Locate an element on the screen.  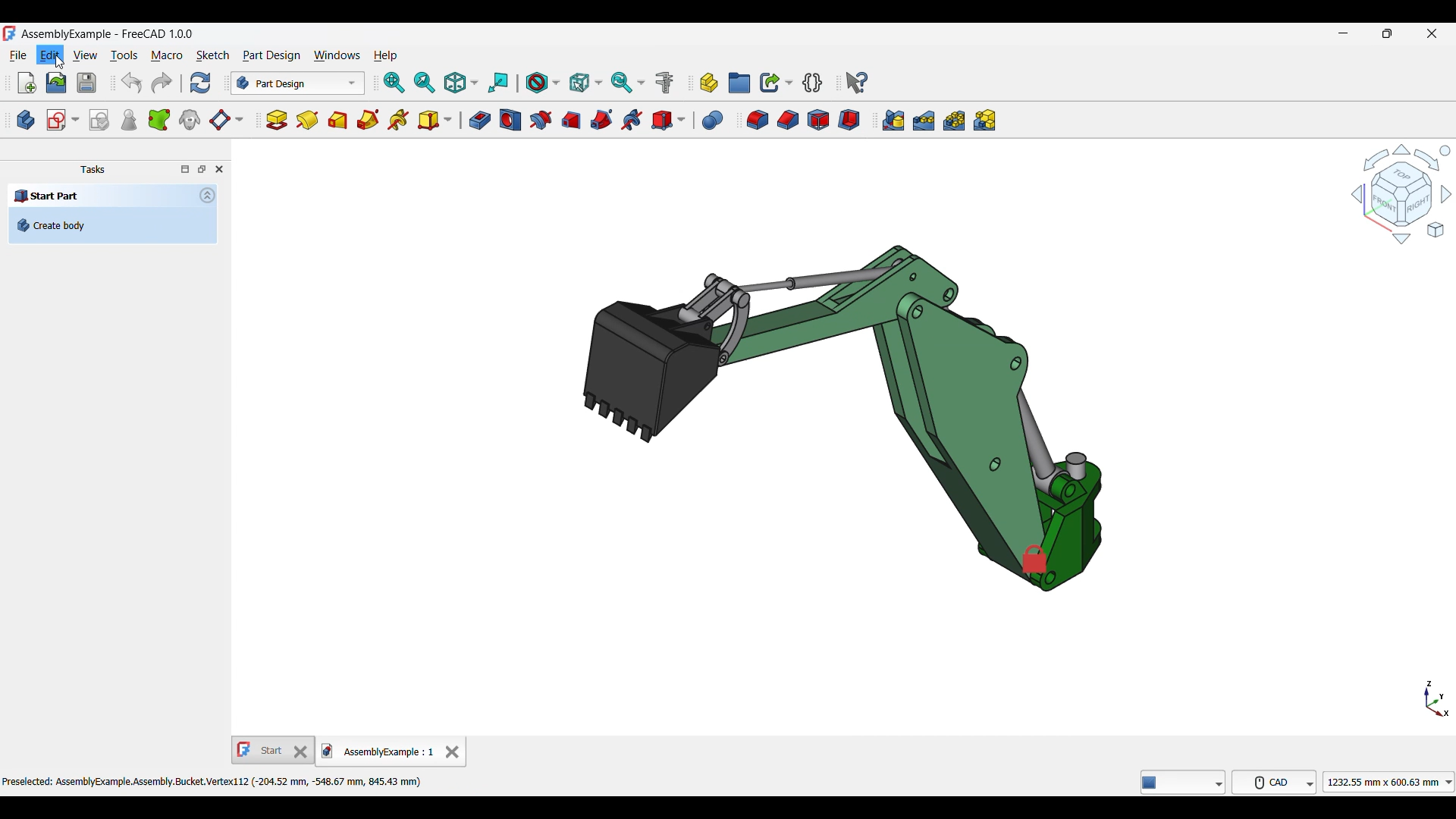
Align to selection is located at coordinates (498, 83).